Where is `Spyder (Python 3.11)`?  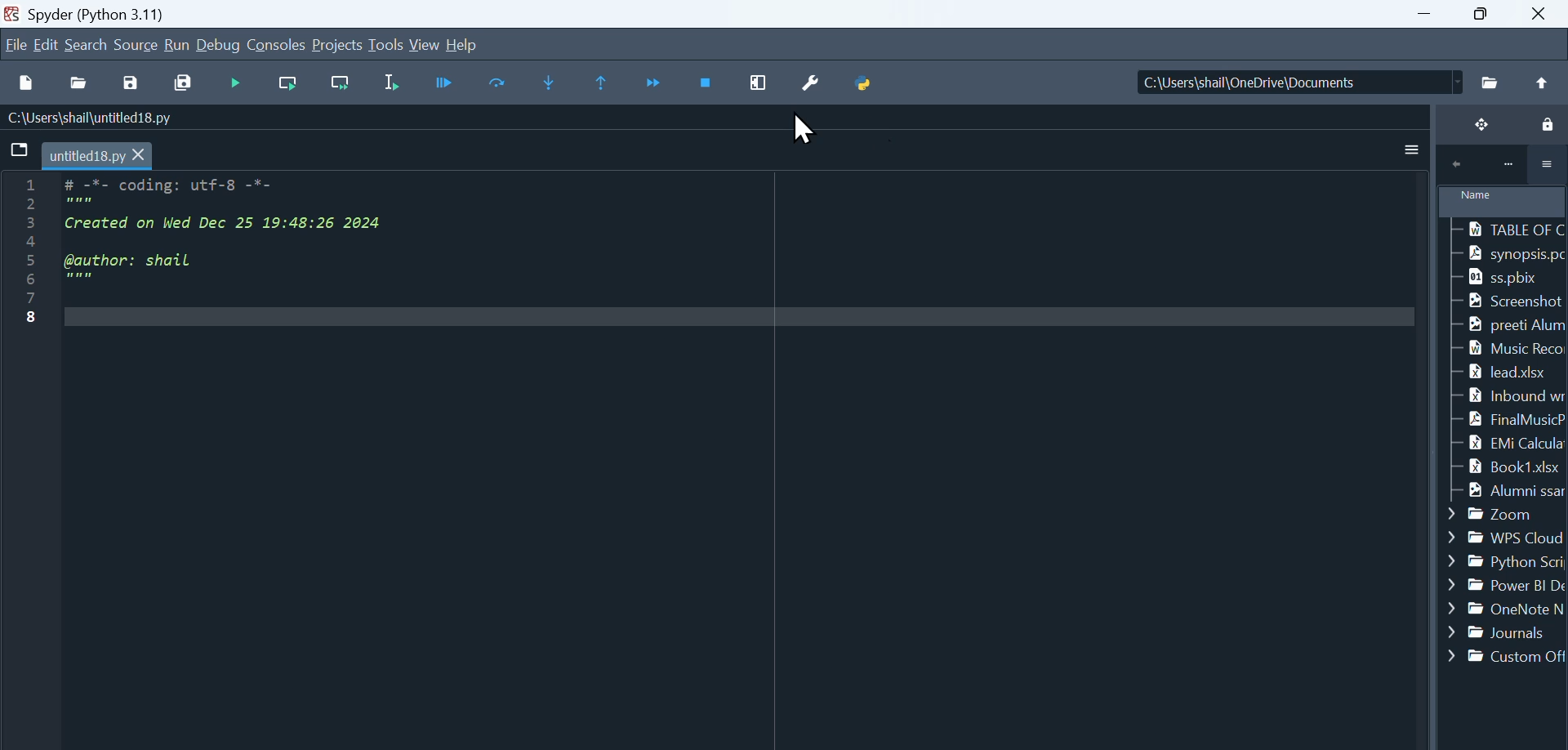 Spyder (Python 3.11) is located at coordinates (144, 13).